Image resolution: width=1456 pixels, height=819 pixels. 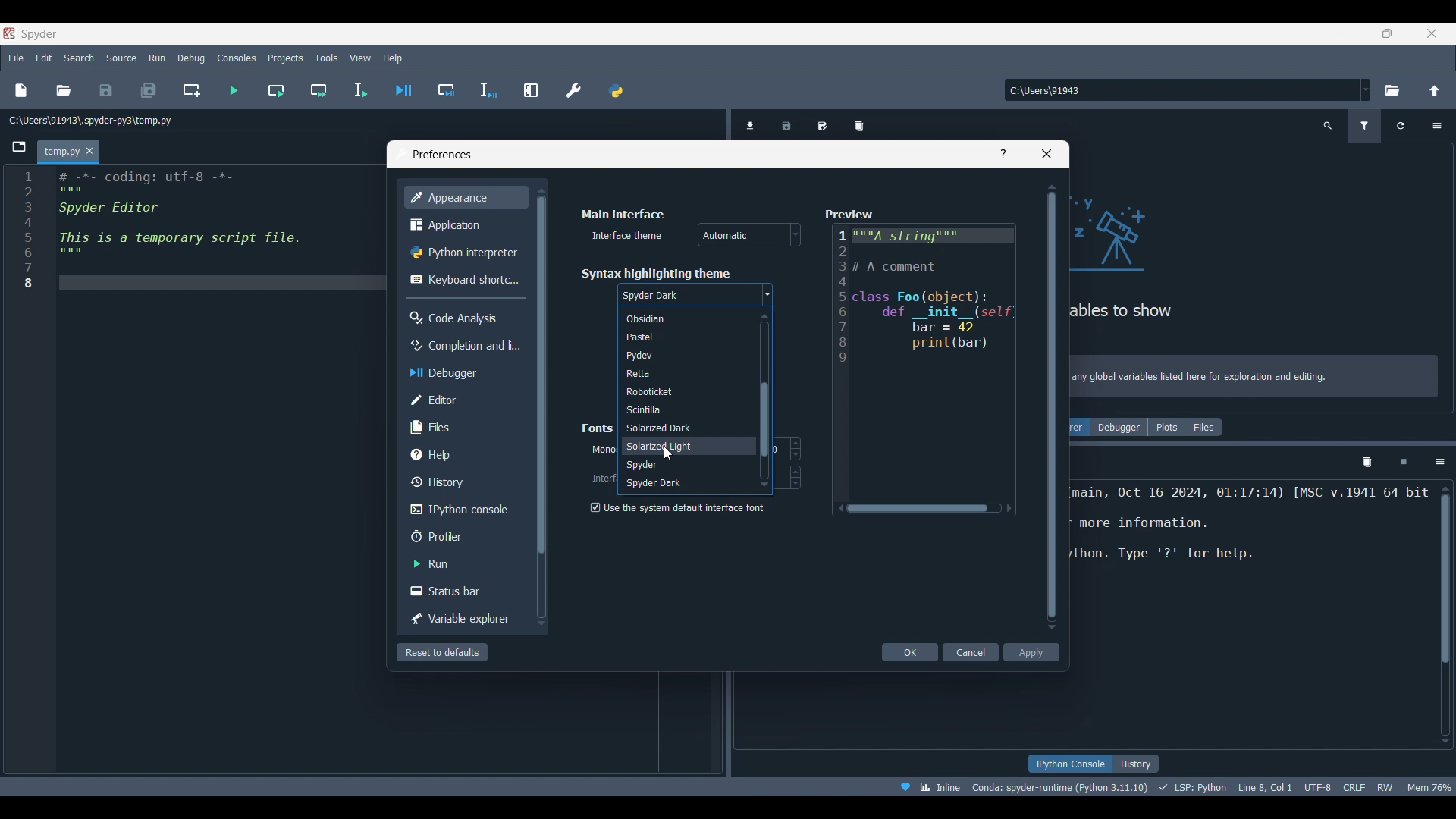 What do you see at coordinates (1392, 90) in the screenshot?
I see `Browse a working directory` at bounding box center [1392, 90].